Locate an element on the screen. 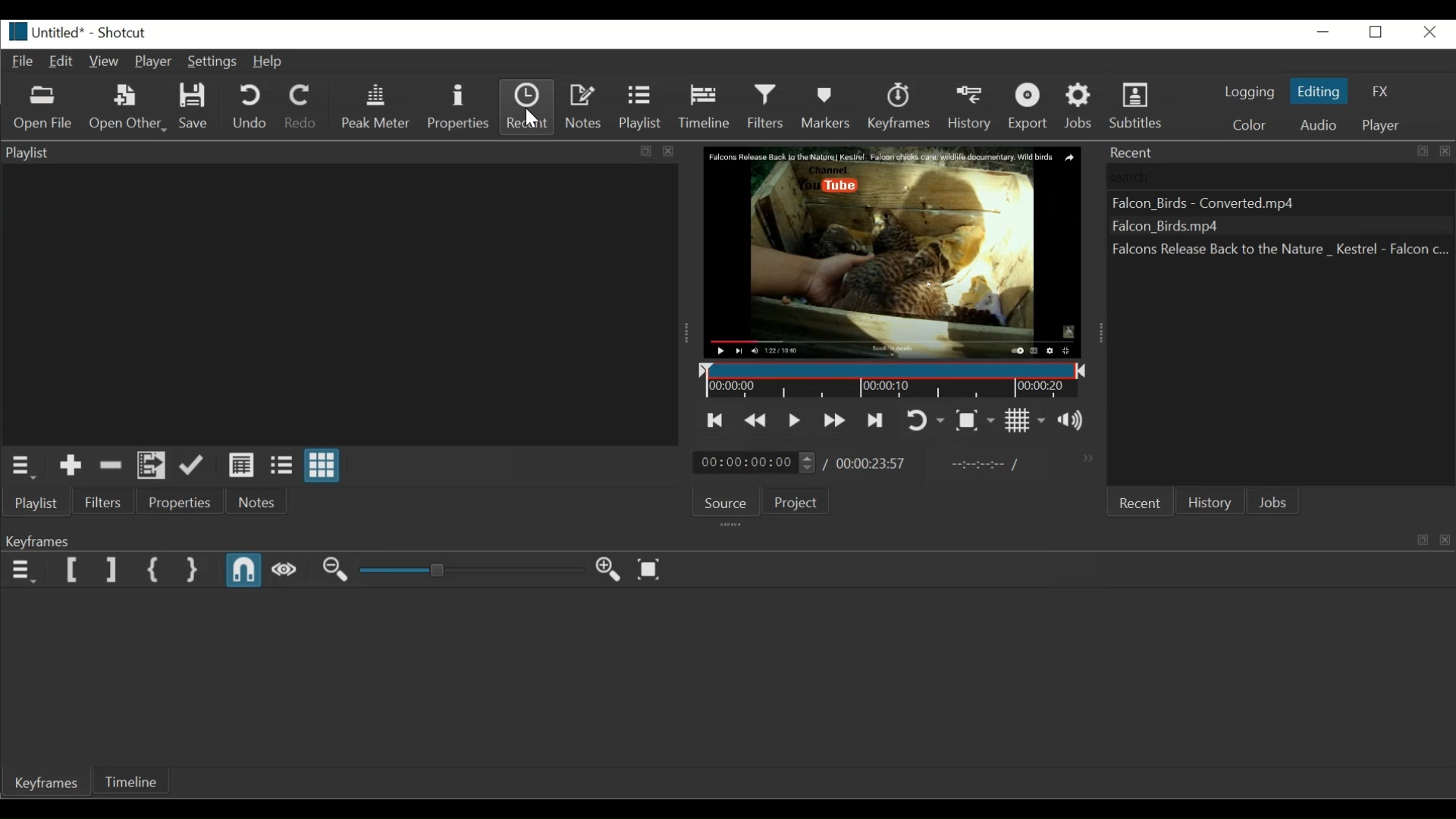 Image resolution: width=1456 pixels, height=819 pixels. Editing is located at coordinates (1318, 93).